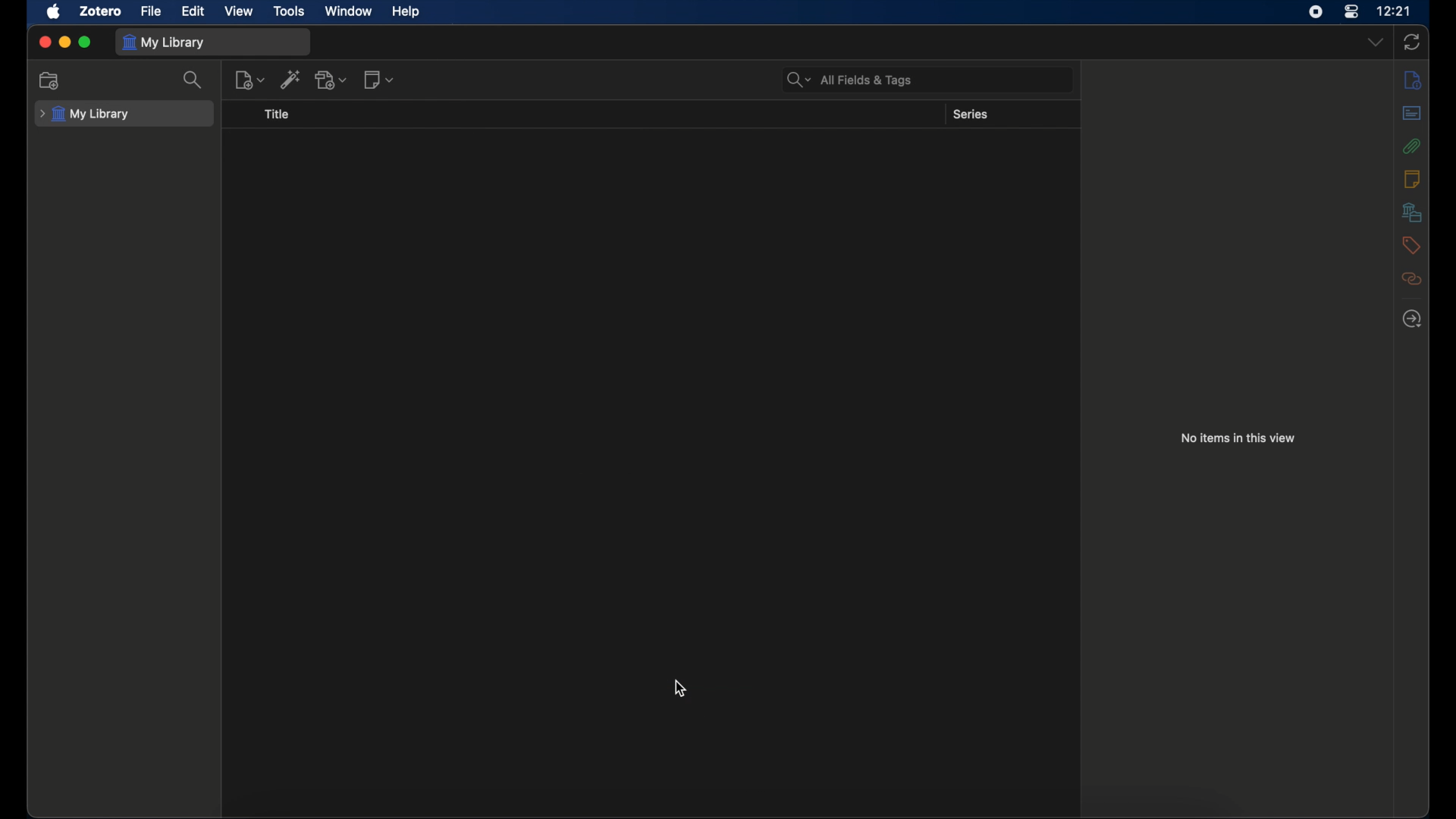 This screenshot has width=1456, height=819. I want to click on attachments, so click(1412, 279).